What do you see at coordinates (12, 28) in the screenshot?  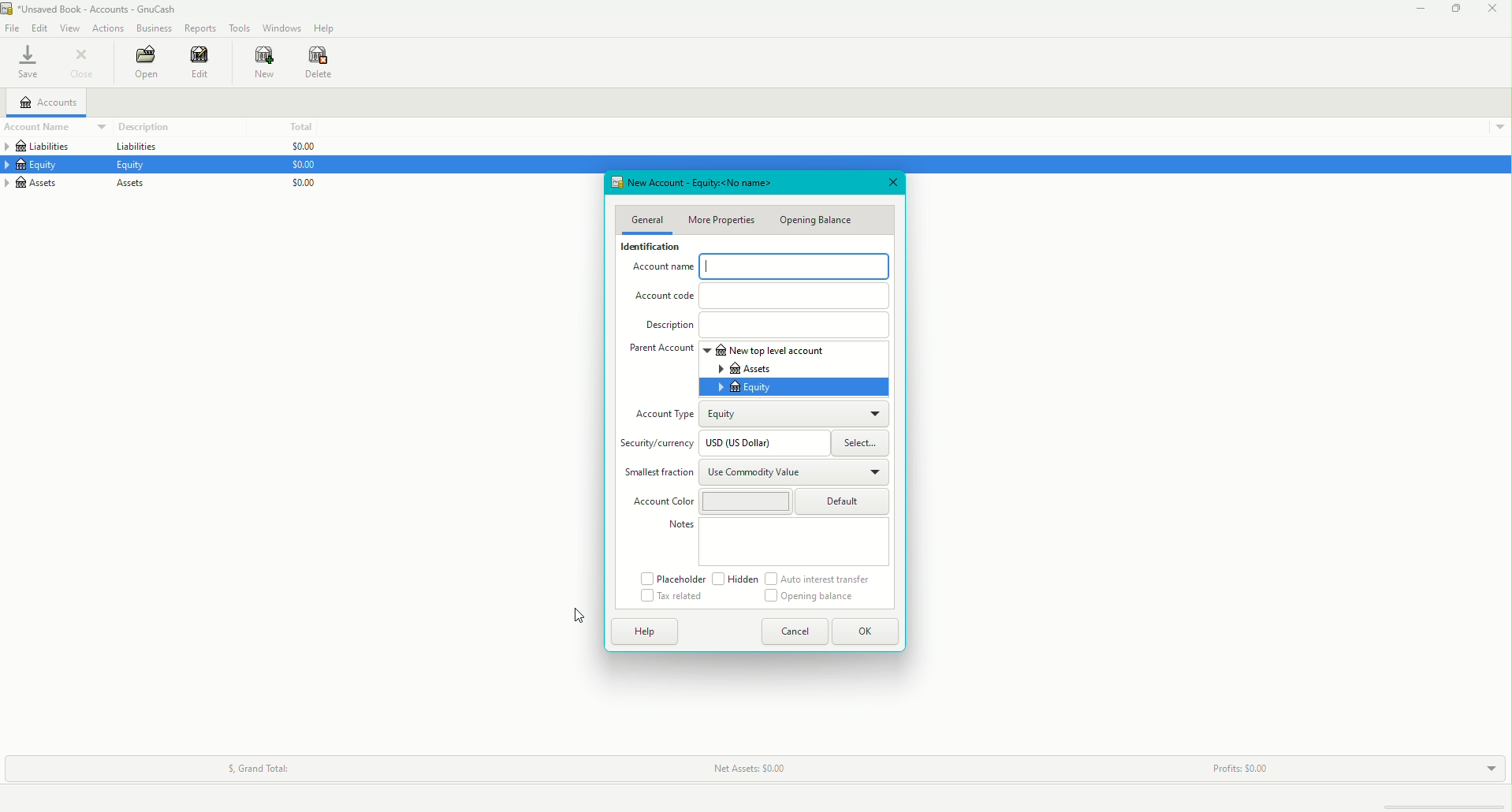 I see `File` at bounding box center [12, 28].